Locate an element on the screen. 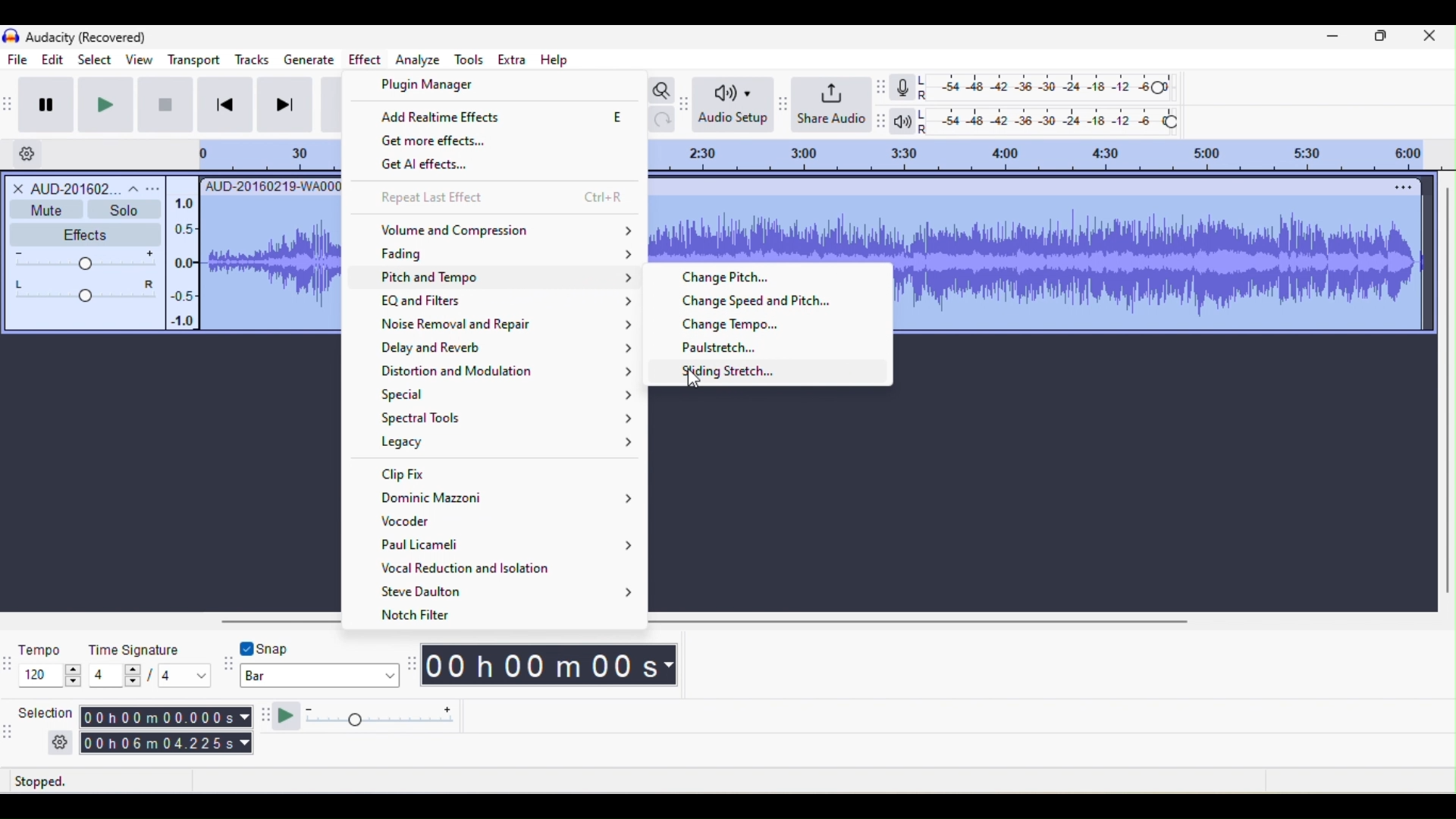  noise removal and repair is located at coordinates (507, 325).